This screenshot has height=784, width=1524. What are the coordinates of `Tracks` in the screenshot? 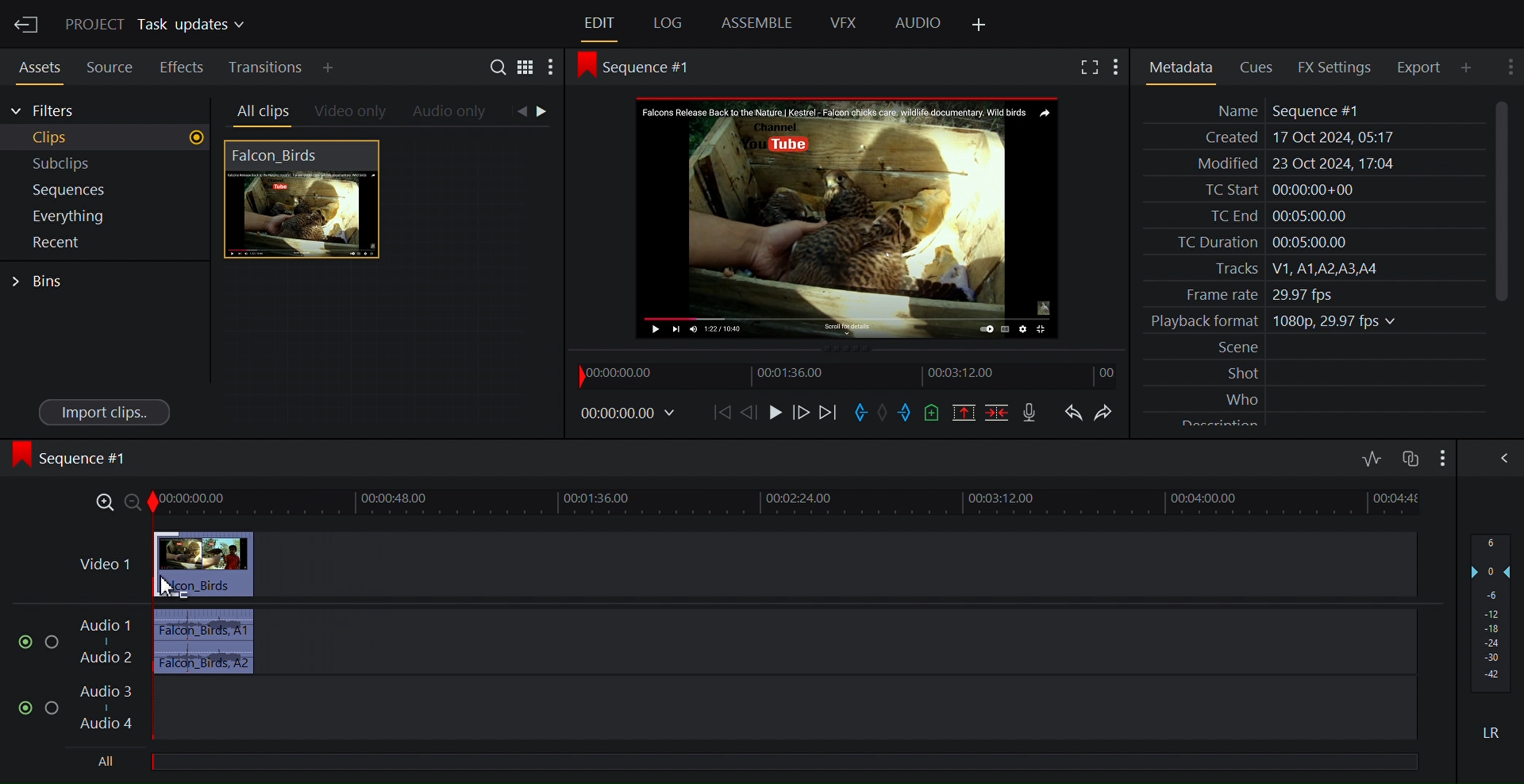 It's located at (1312, 269).